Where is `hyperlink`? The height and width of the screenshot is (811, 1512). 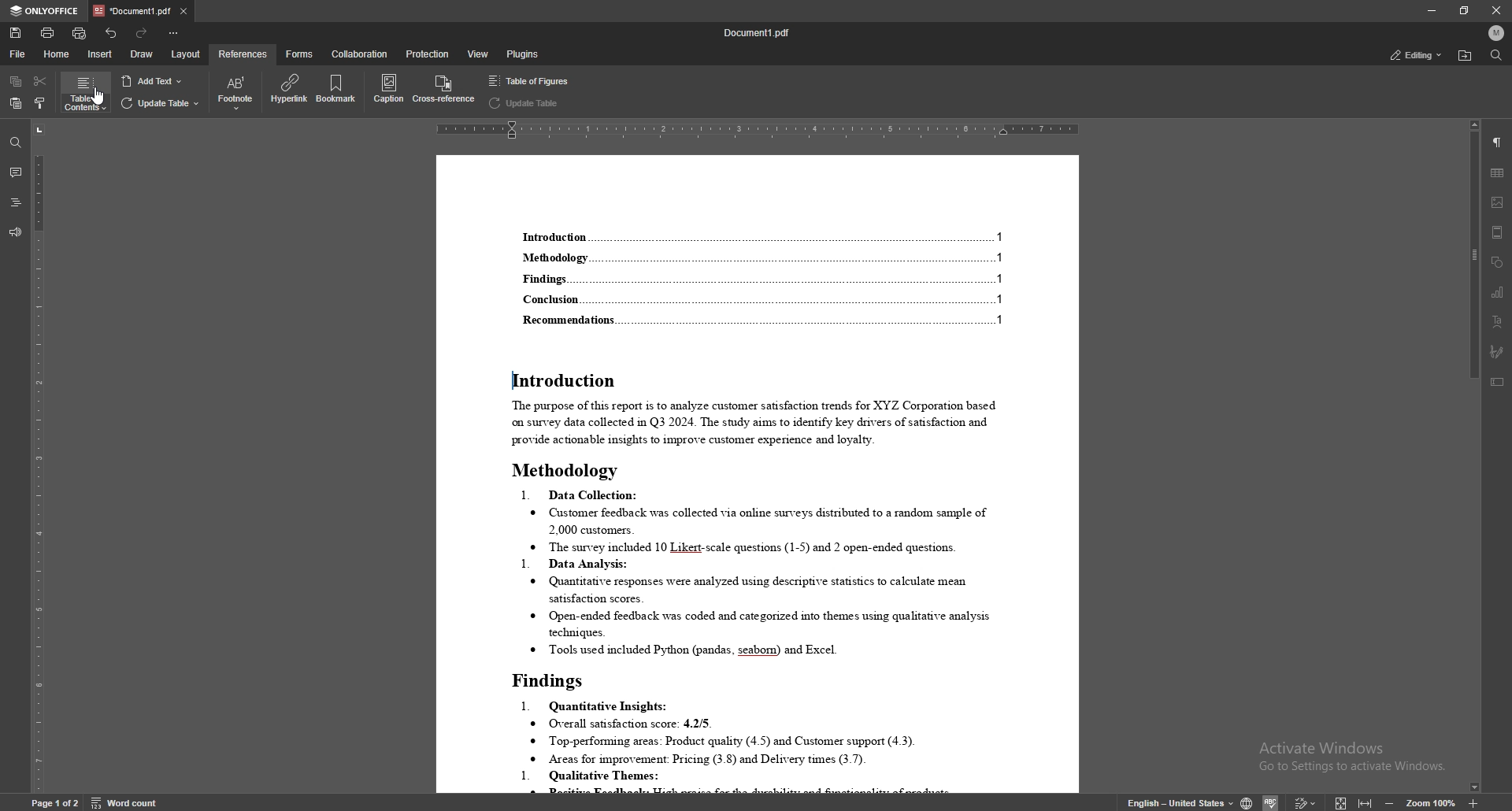 hyperlink is located at coordinates (292, 89).